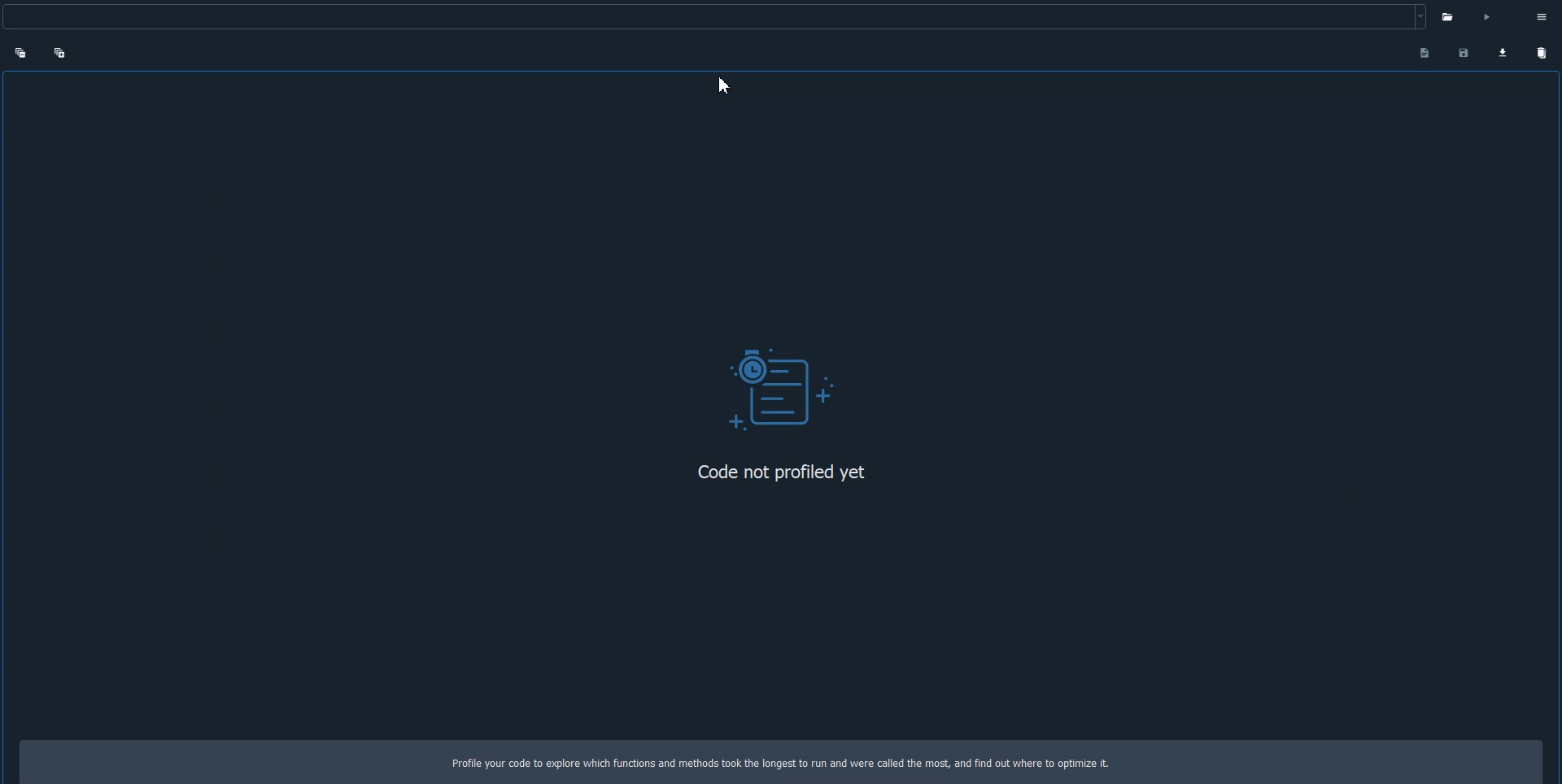 This screenshot has width=1562, height=784. I want to click on Save Profiling data, so click(1463, 51).